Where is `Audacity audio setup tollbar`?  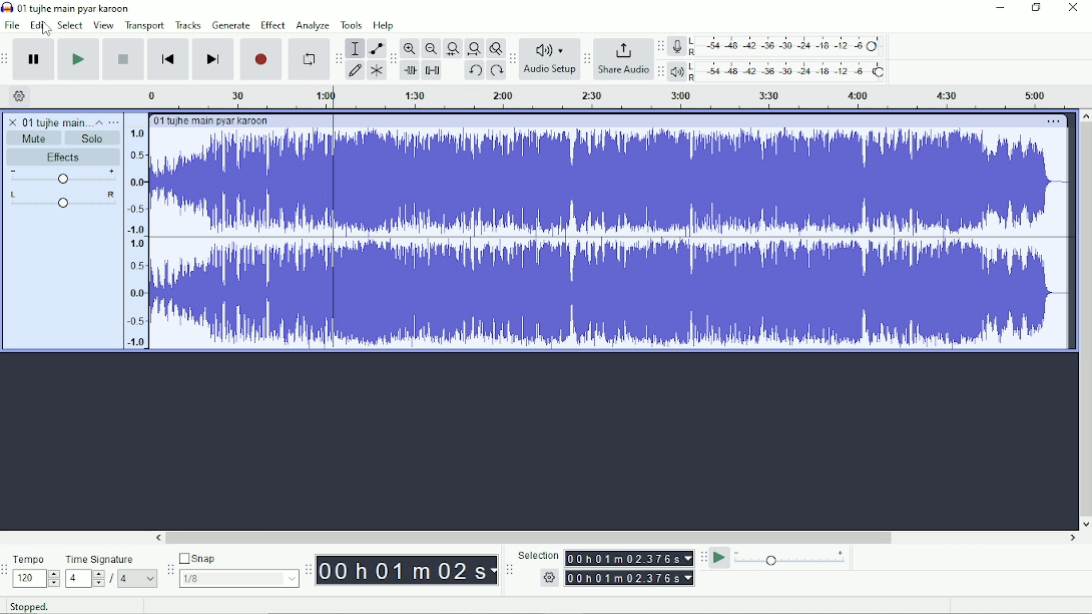
Audacity audio setup tollbar is located at coordinates (511, 59).